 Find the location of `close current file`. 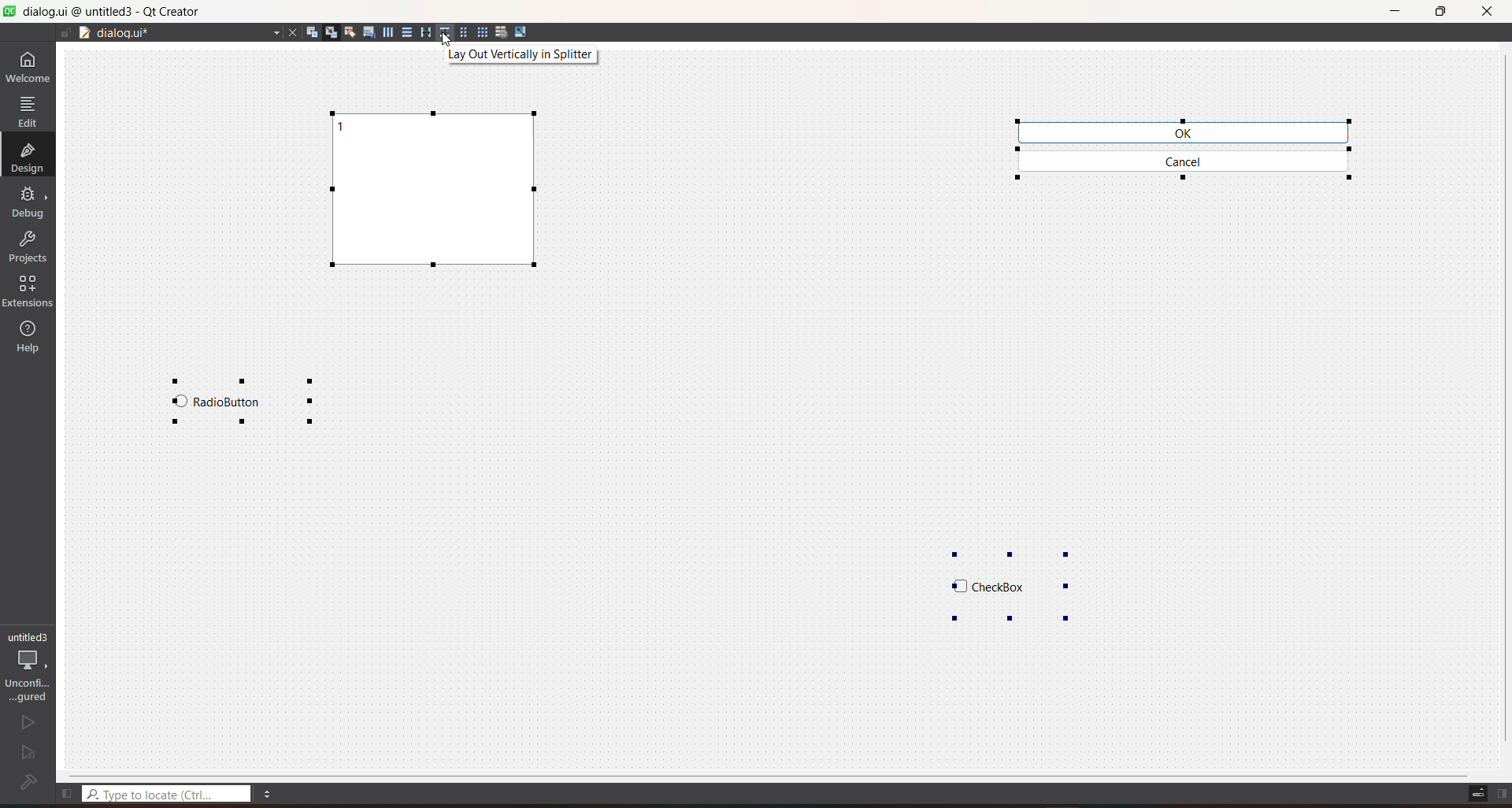

close current file is located at coordinates (290, 35).